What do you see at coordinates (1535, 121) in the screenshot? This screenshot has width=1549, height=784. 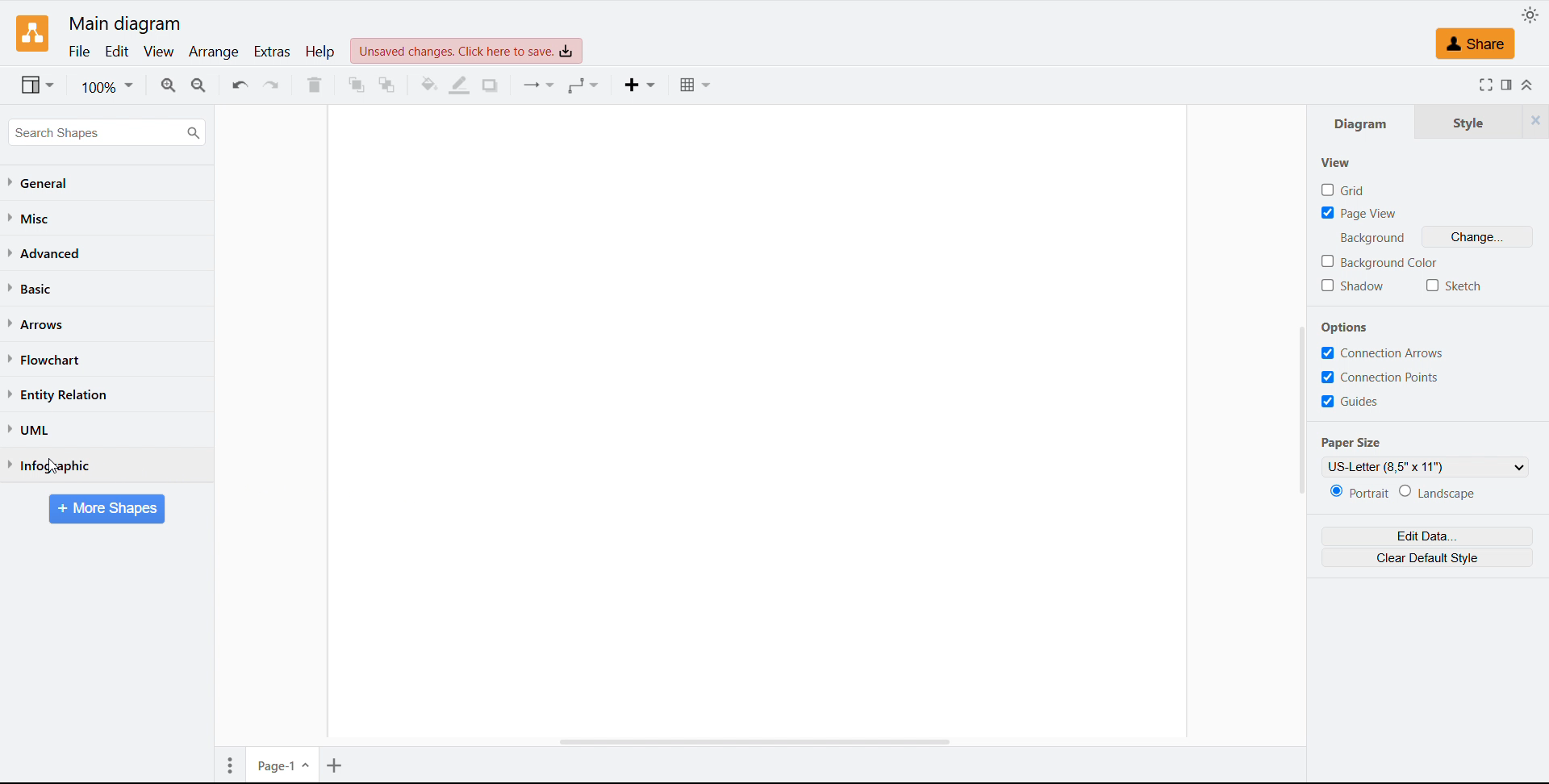 I see `Close tabs ` at bounding box center [1535, 121].